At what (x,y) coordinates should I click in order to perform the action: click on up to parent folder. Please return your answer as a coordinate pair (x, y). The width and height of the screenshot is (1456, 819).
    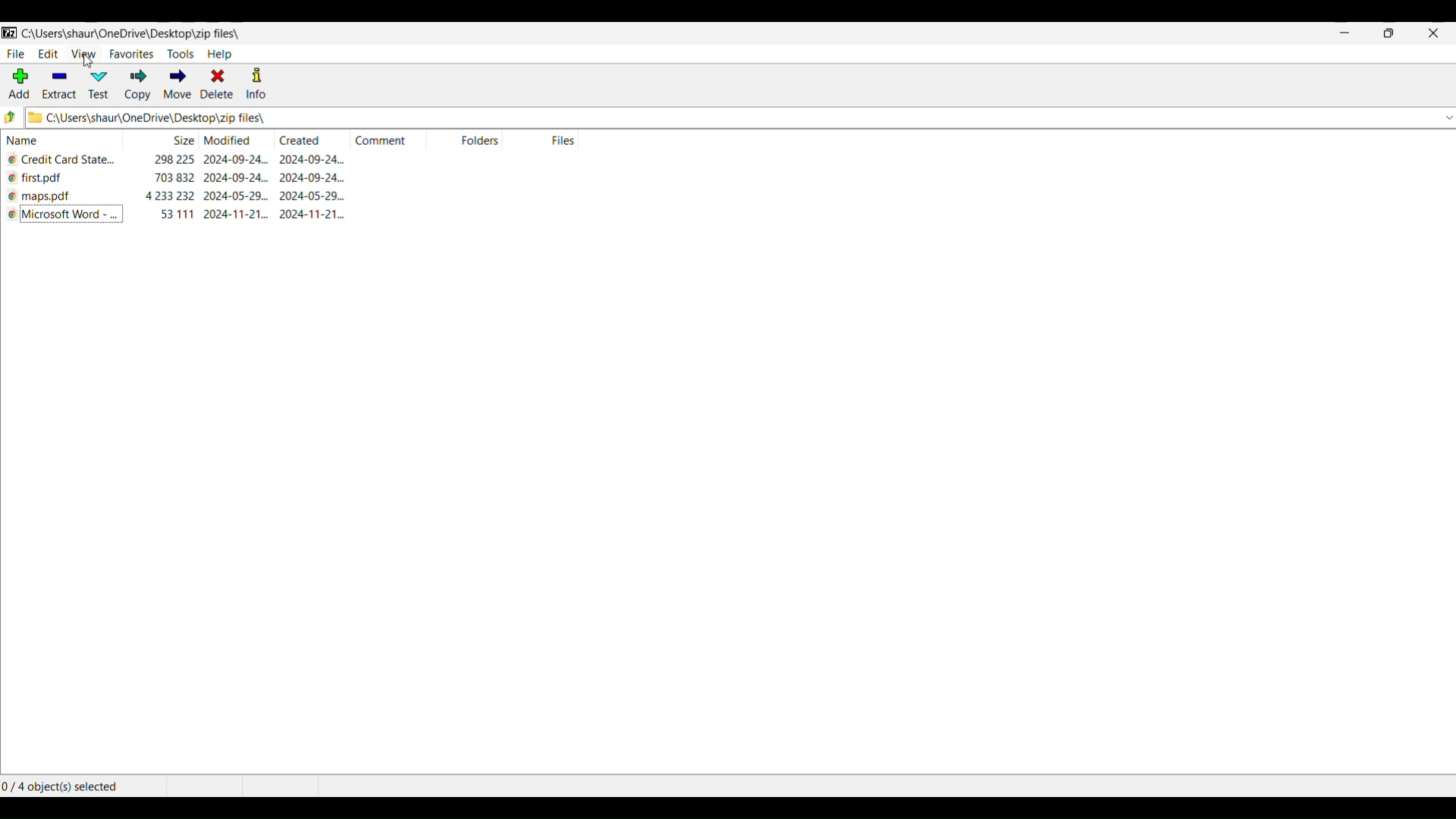
    Looking at the image, I should click on (10, 117).